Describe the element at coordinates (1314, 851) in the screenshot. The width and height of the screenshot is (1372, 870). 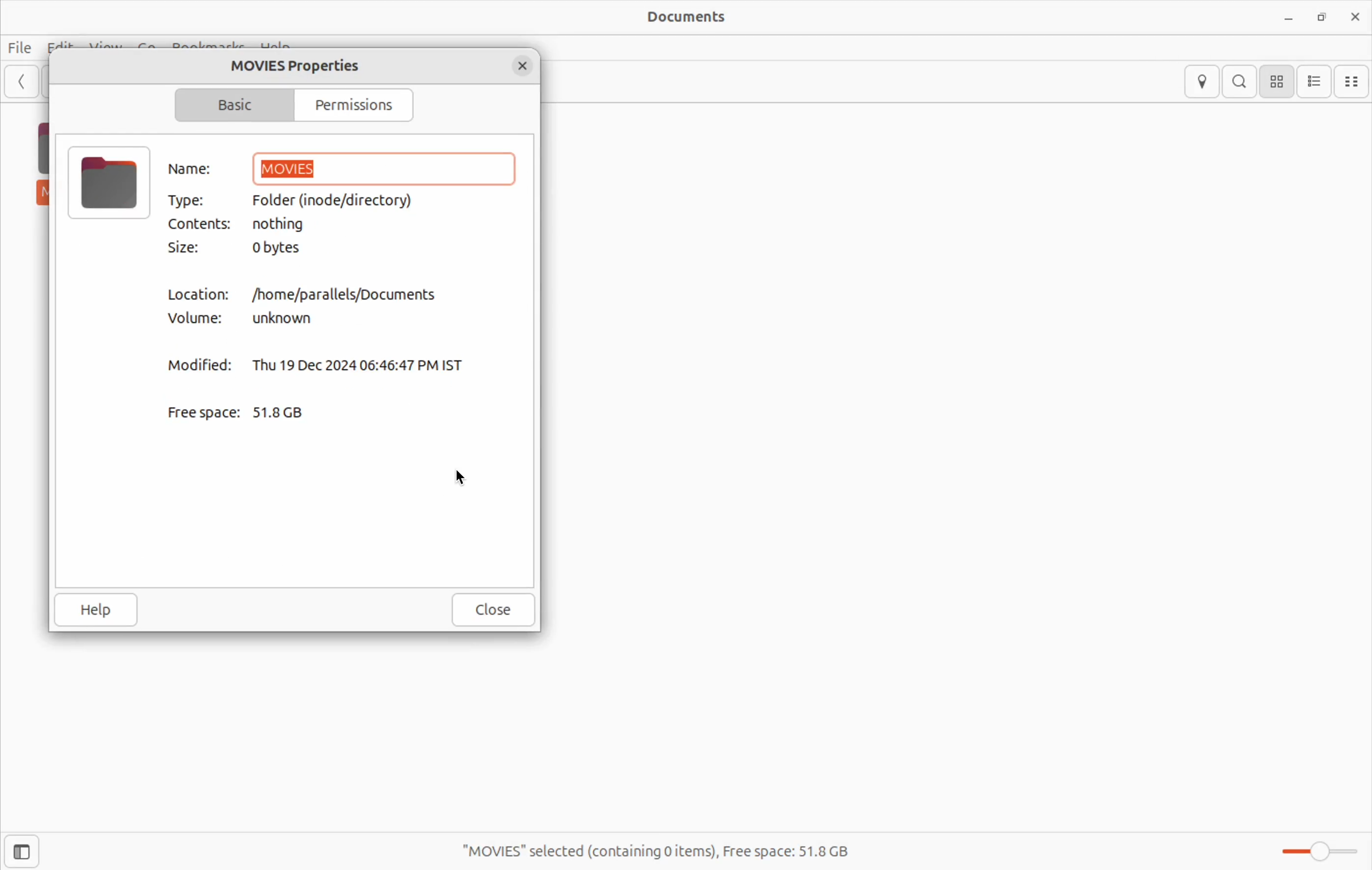
I see `toggle zoom` at that location.